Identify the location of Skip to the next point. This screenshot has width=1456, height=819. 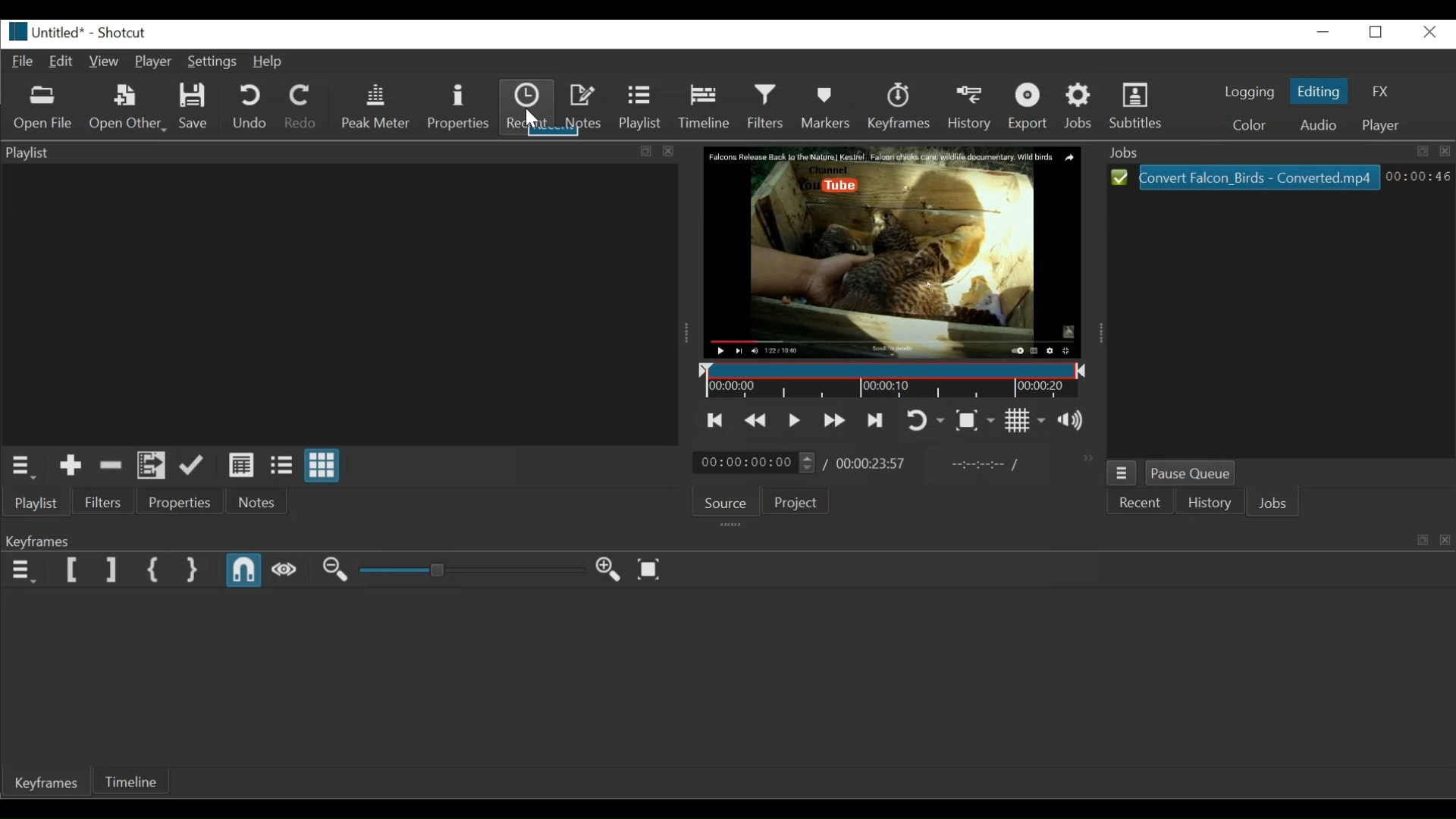
(875, 422).